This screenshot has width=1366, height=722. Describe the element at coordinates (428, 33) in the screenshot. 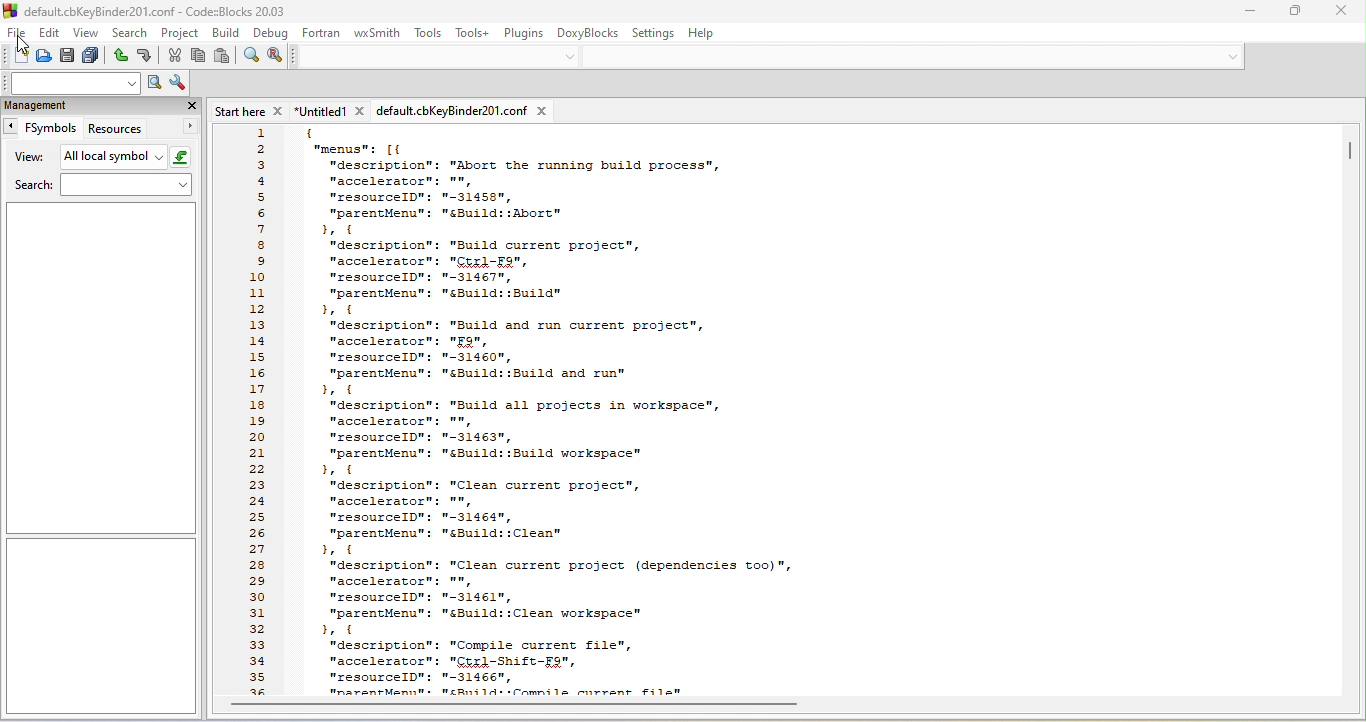

I see `tools` at that location.